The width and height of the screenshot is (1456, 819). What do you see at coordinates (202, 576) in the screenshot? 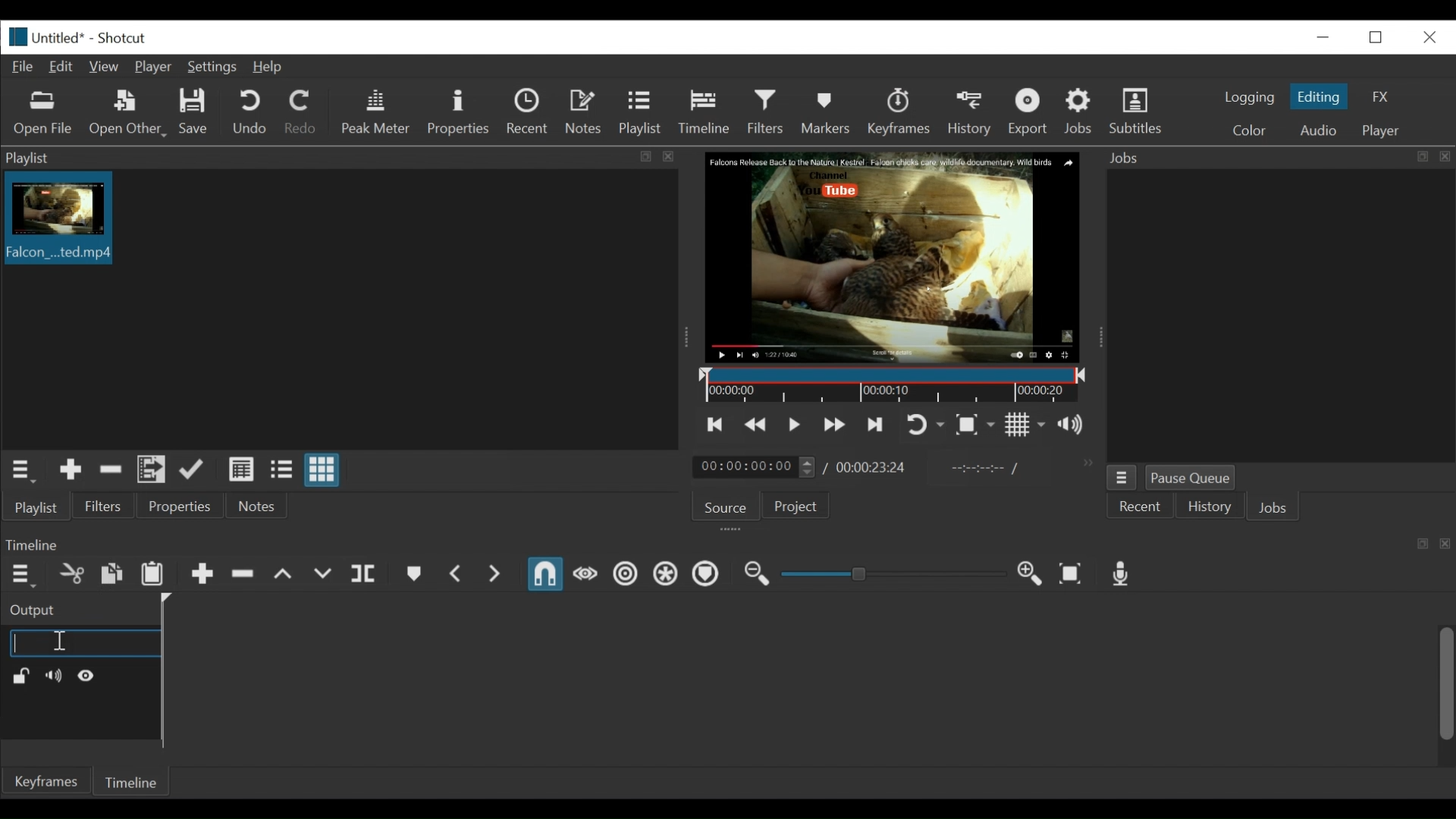
I see `Append` at bounding box center [202, 576].